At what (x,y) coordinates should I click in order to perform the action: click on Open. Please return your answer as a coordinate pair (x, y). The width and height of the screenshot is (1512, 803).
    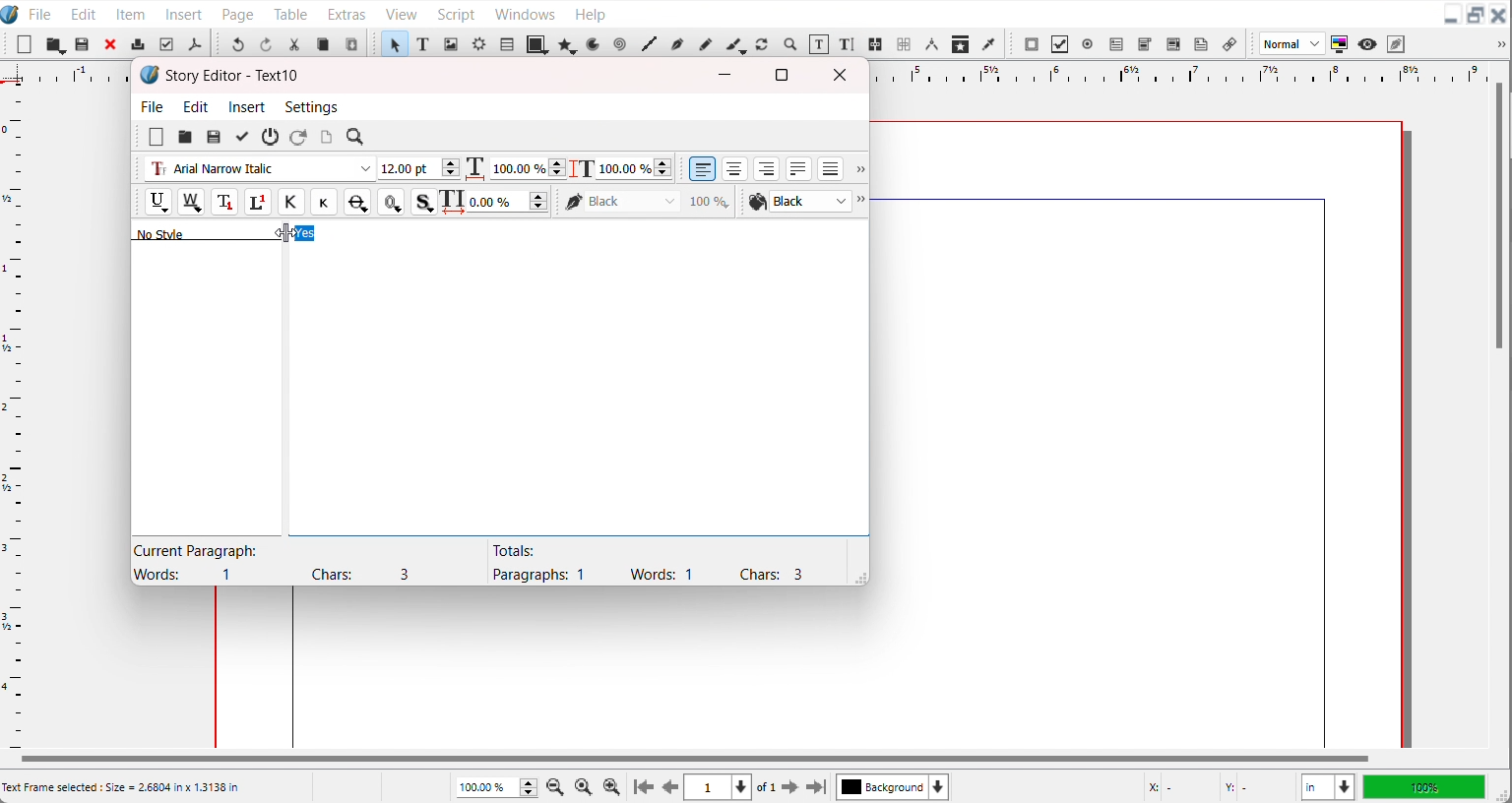
    Looking at the image, I should click on (84, 45).